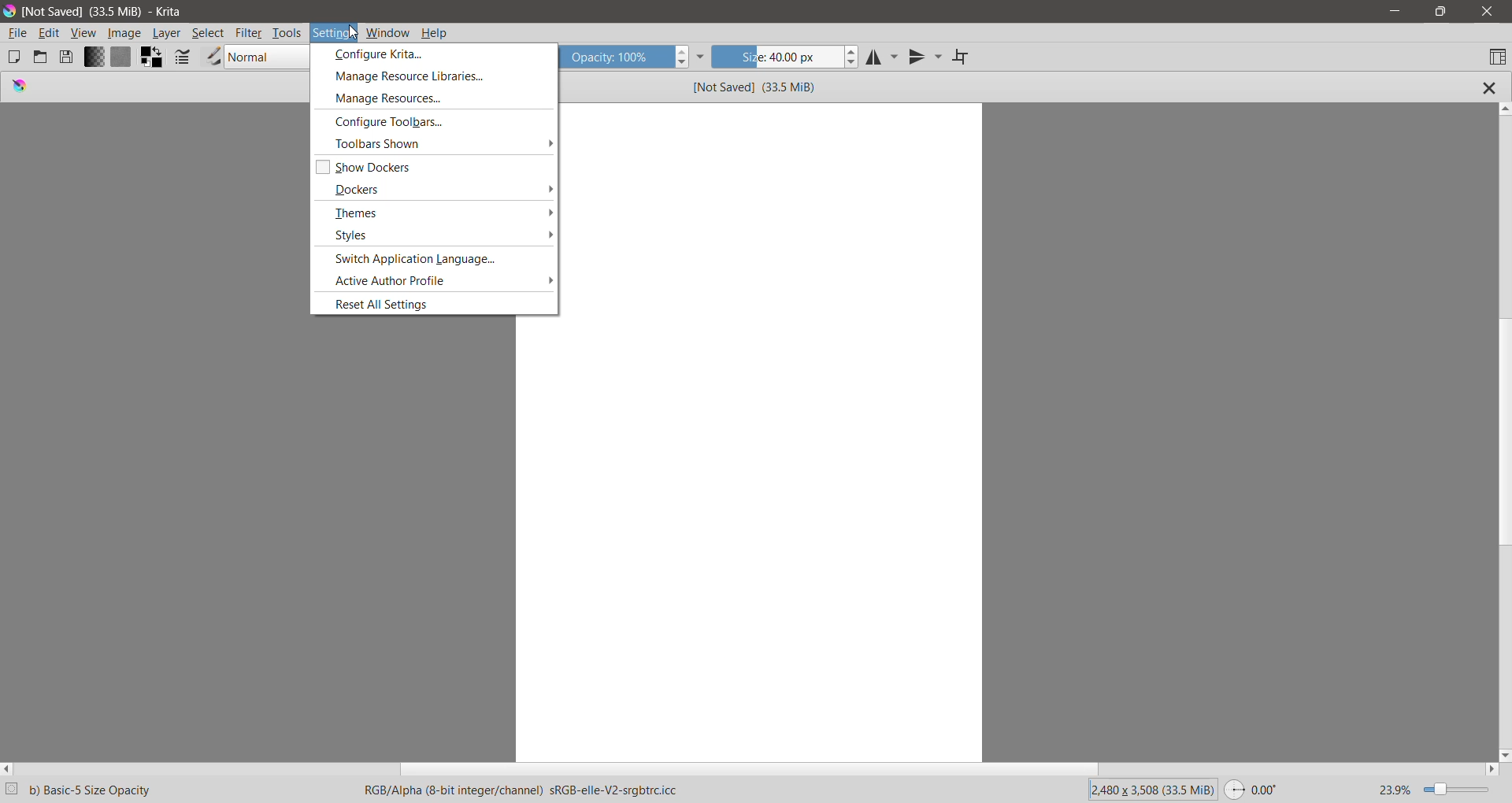 The image size is (1512, 803). What do you see at coordinates (1397, 9) in the screenshot?
I see `Minimize` at bounding box center [1397, 9].